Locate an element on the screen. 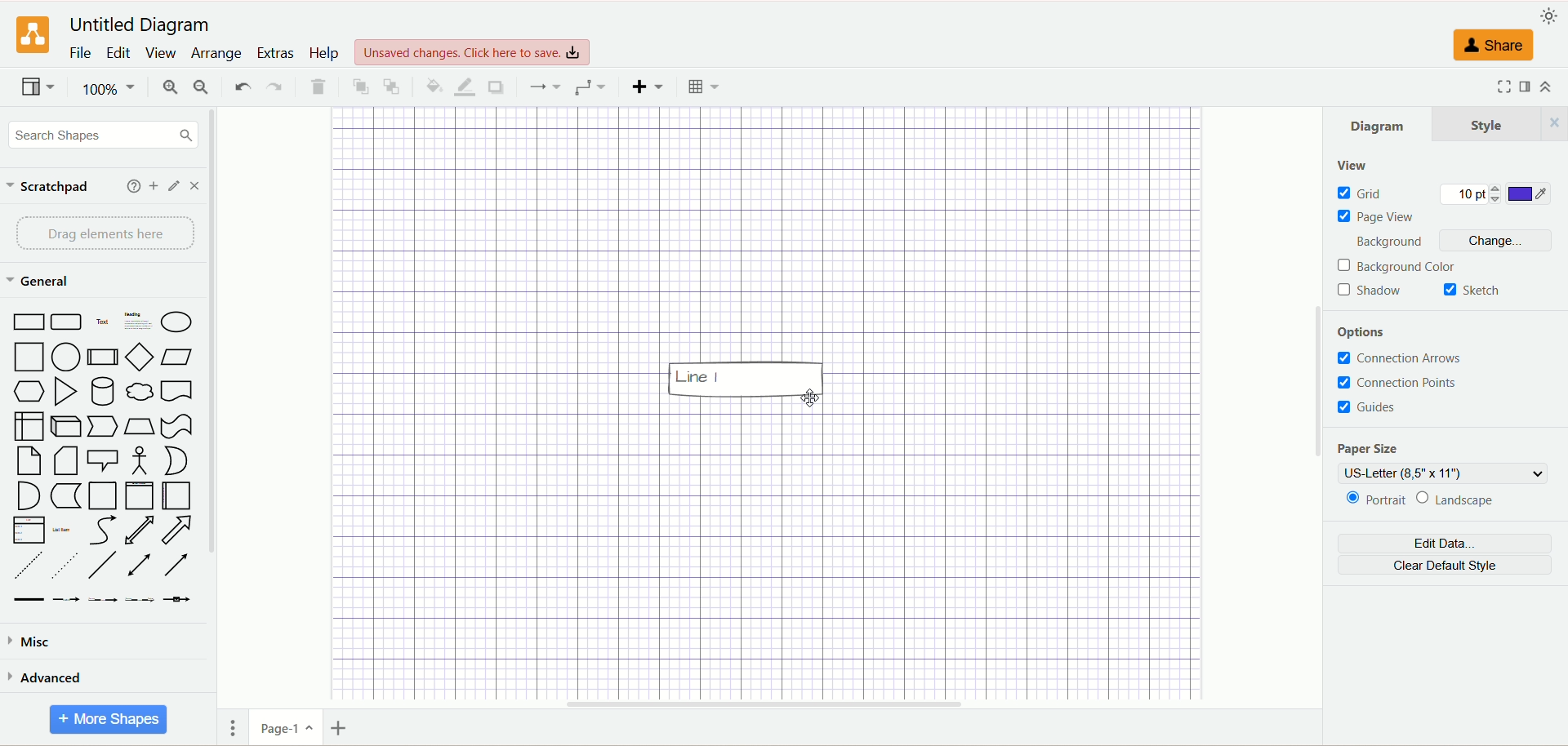 This screenshot has height=746, width=1568. misc is located at coordinates (38, 642).